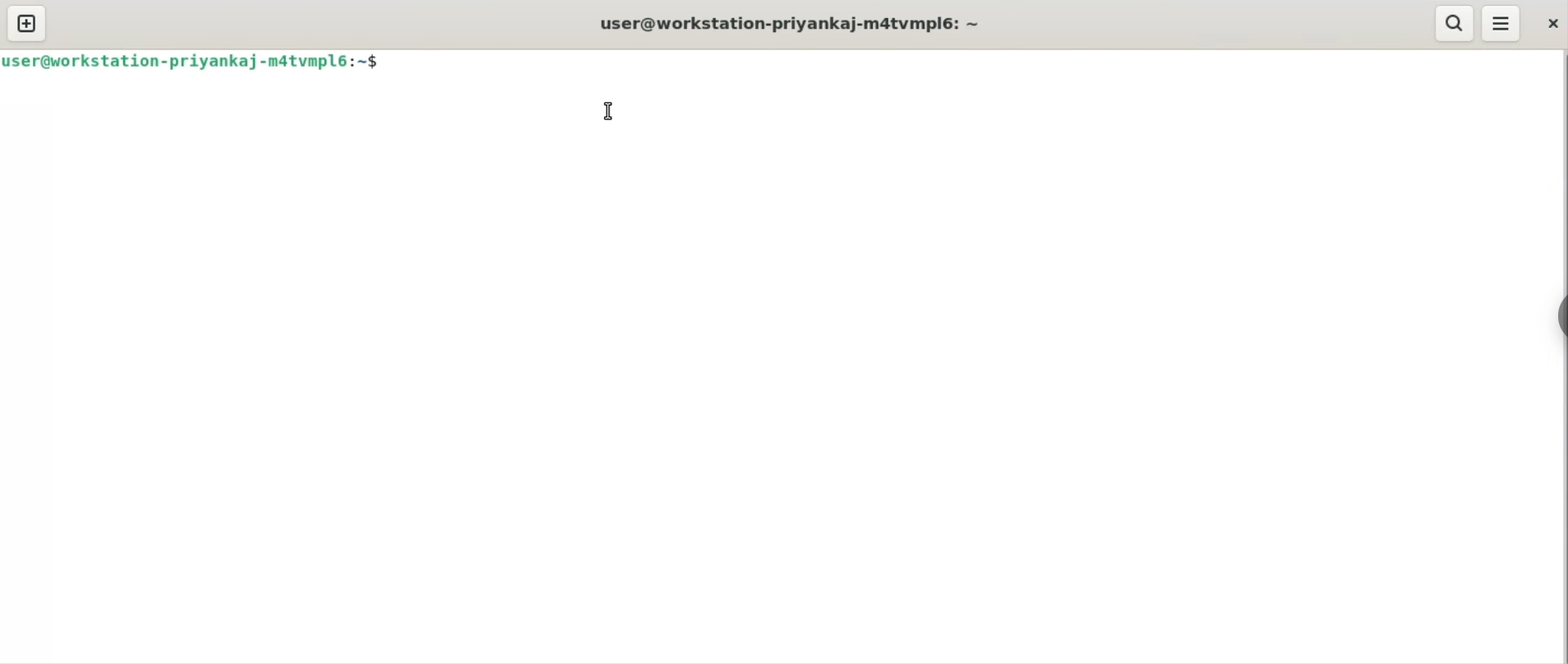 The width and height of the screenshot is (1568, 664). Describe the element at coordinates (611, 112) in the screenshot. I see `cursor` at that location.